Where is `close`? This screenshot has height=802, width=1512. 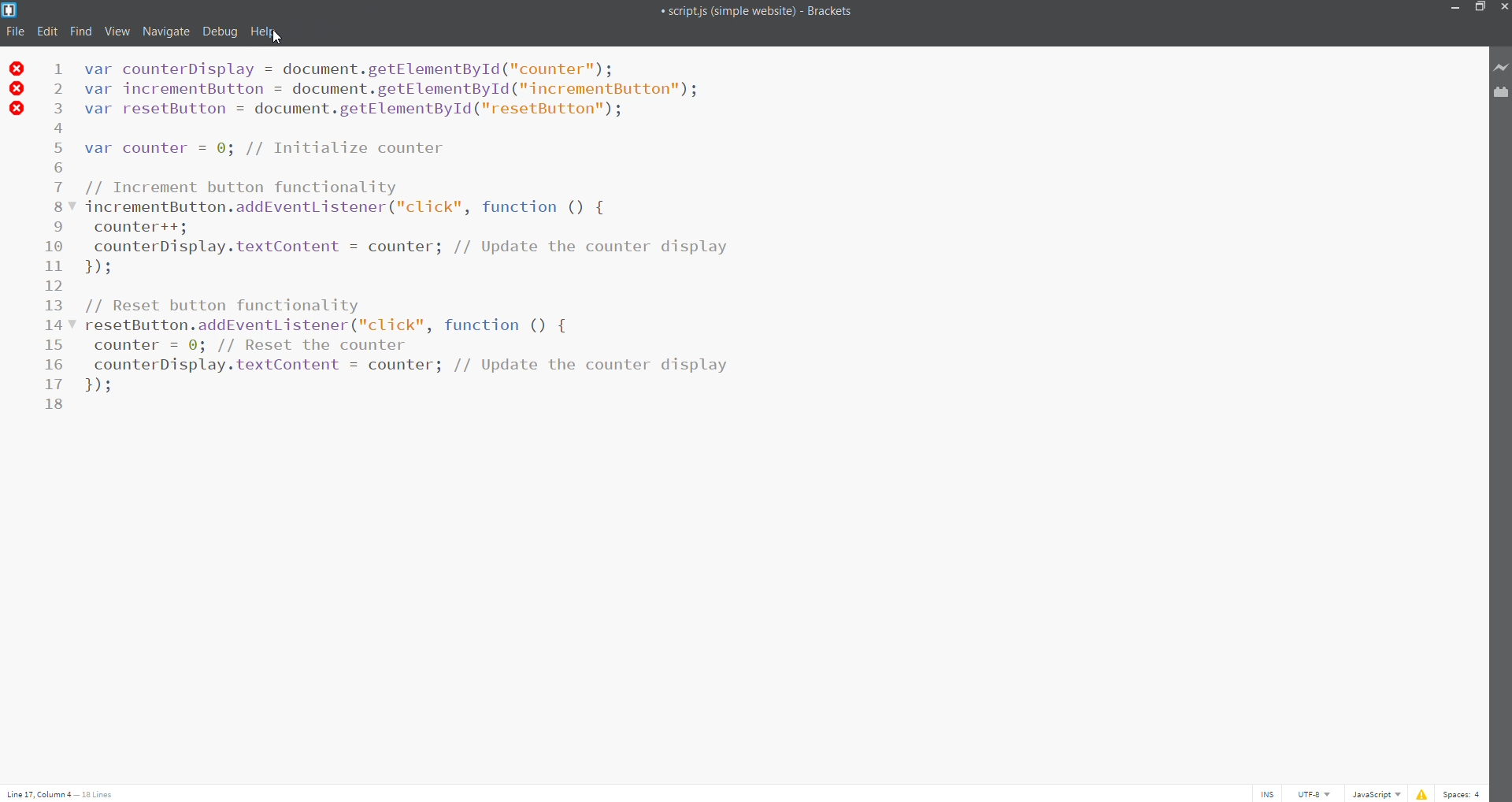 close is located at coordinates (1502, 8).